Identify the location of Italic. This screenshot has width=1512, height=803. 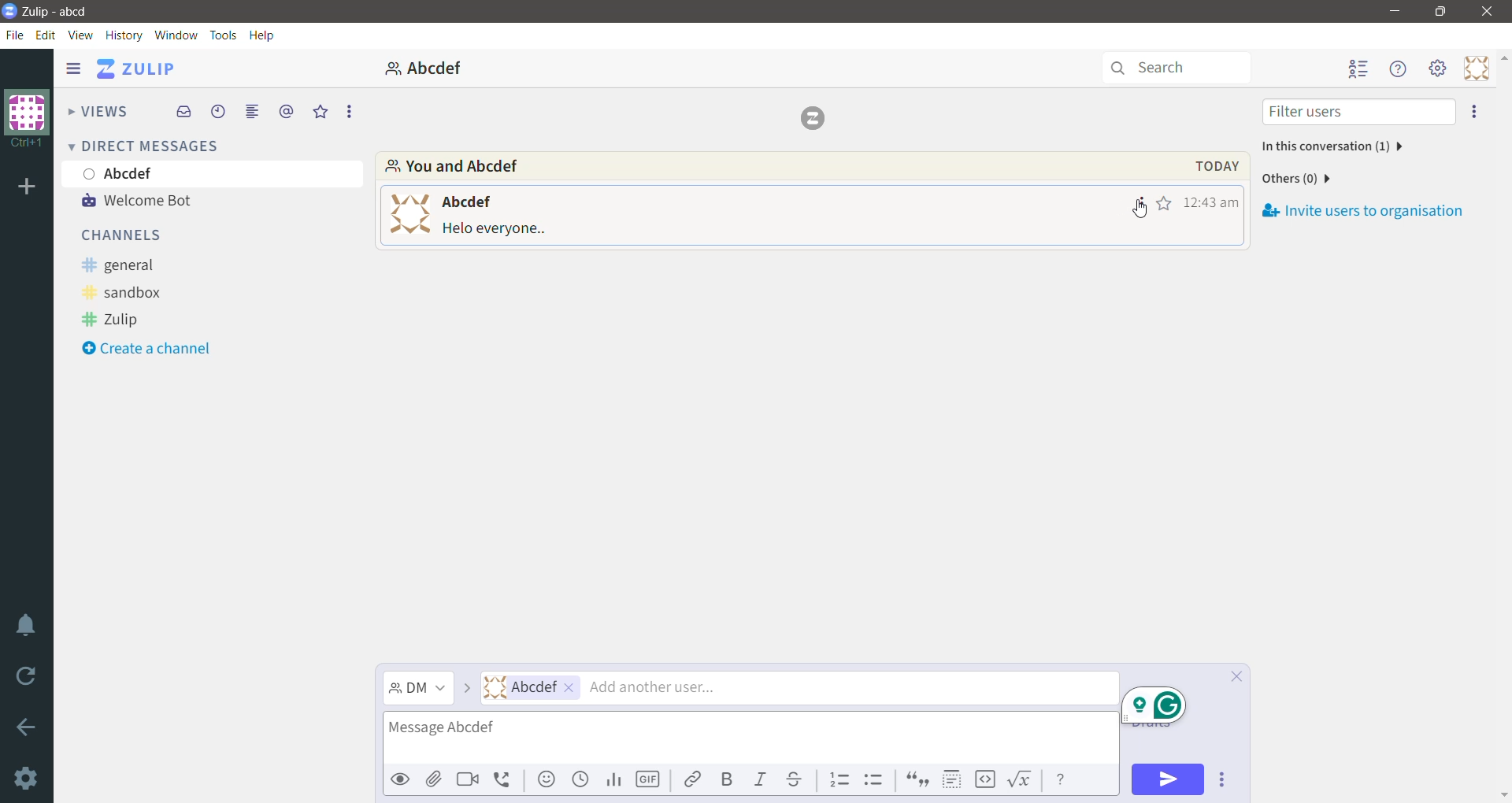
(759, 779).